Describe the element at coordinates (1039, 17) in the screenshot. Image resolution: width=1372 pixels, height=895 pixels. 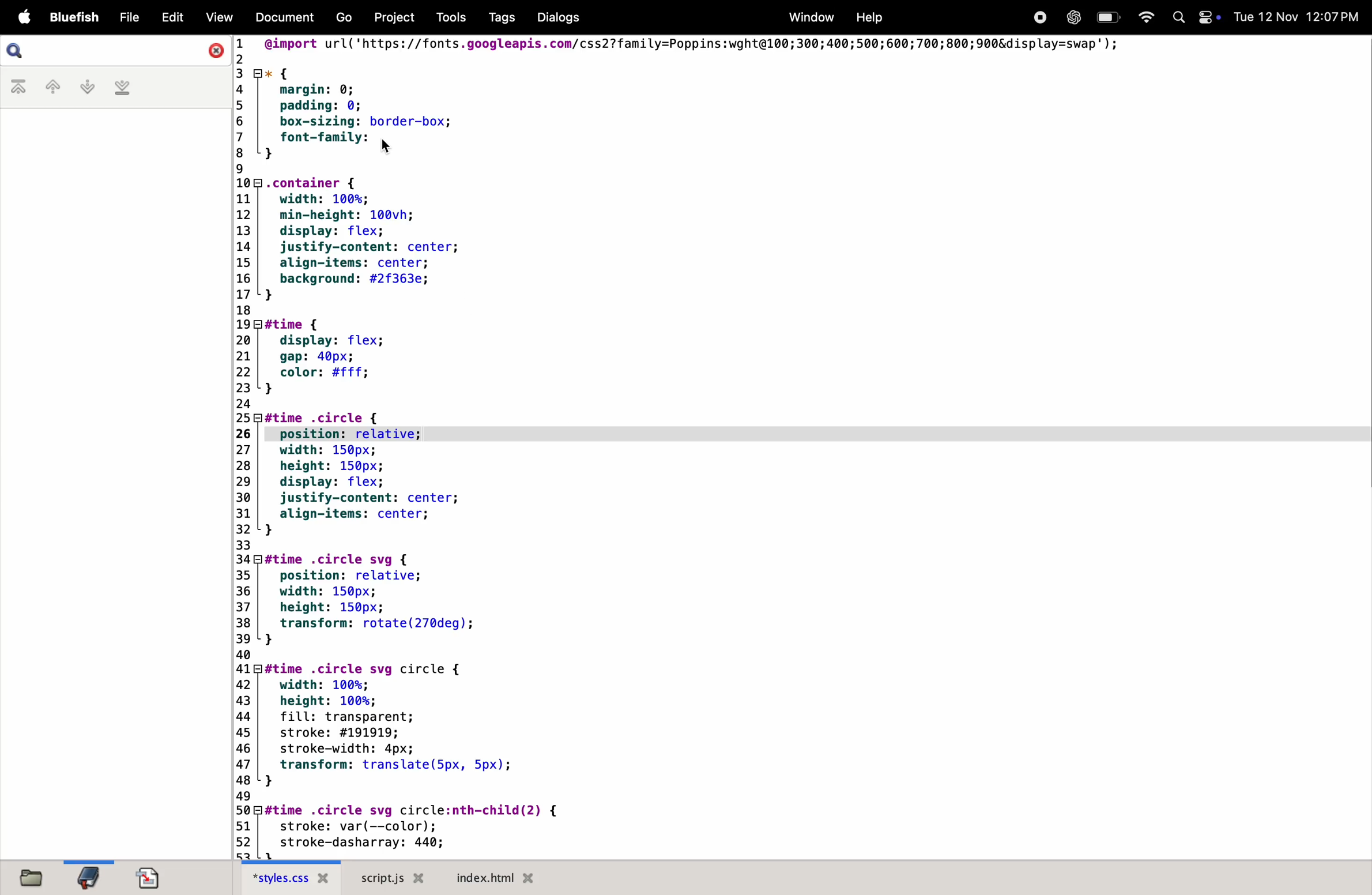
I see `record` at that location.